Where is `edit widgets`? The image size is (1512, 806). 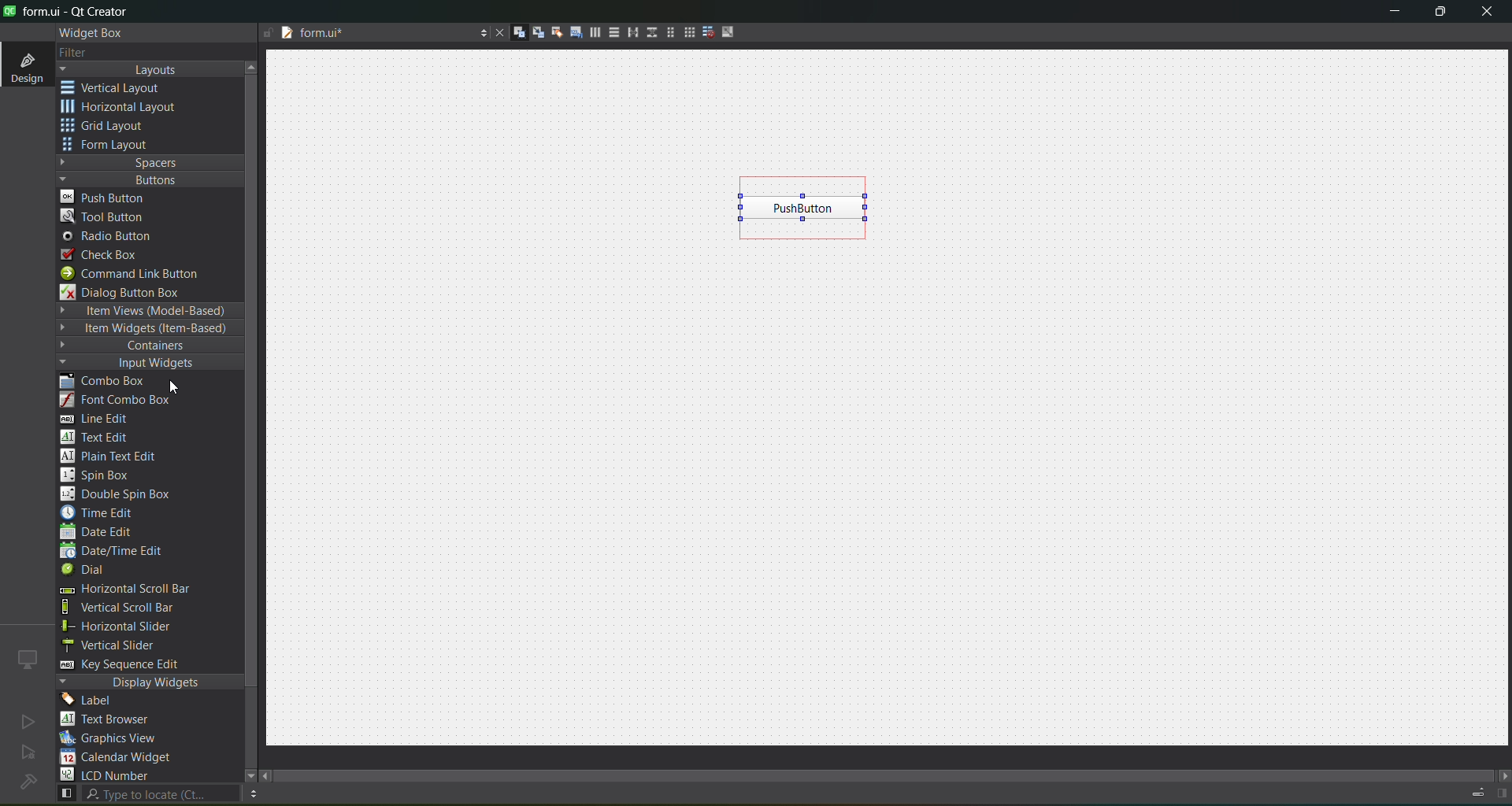
edit widgets is located at coordinates (513, 33).